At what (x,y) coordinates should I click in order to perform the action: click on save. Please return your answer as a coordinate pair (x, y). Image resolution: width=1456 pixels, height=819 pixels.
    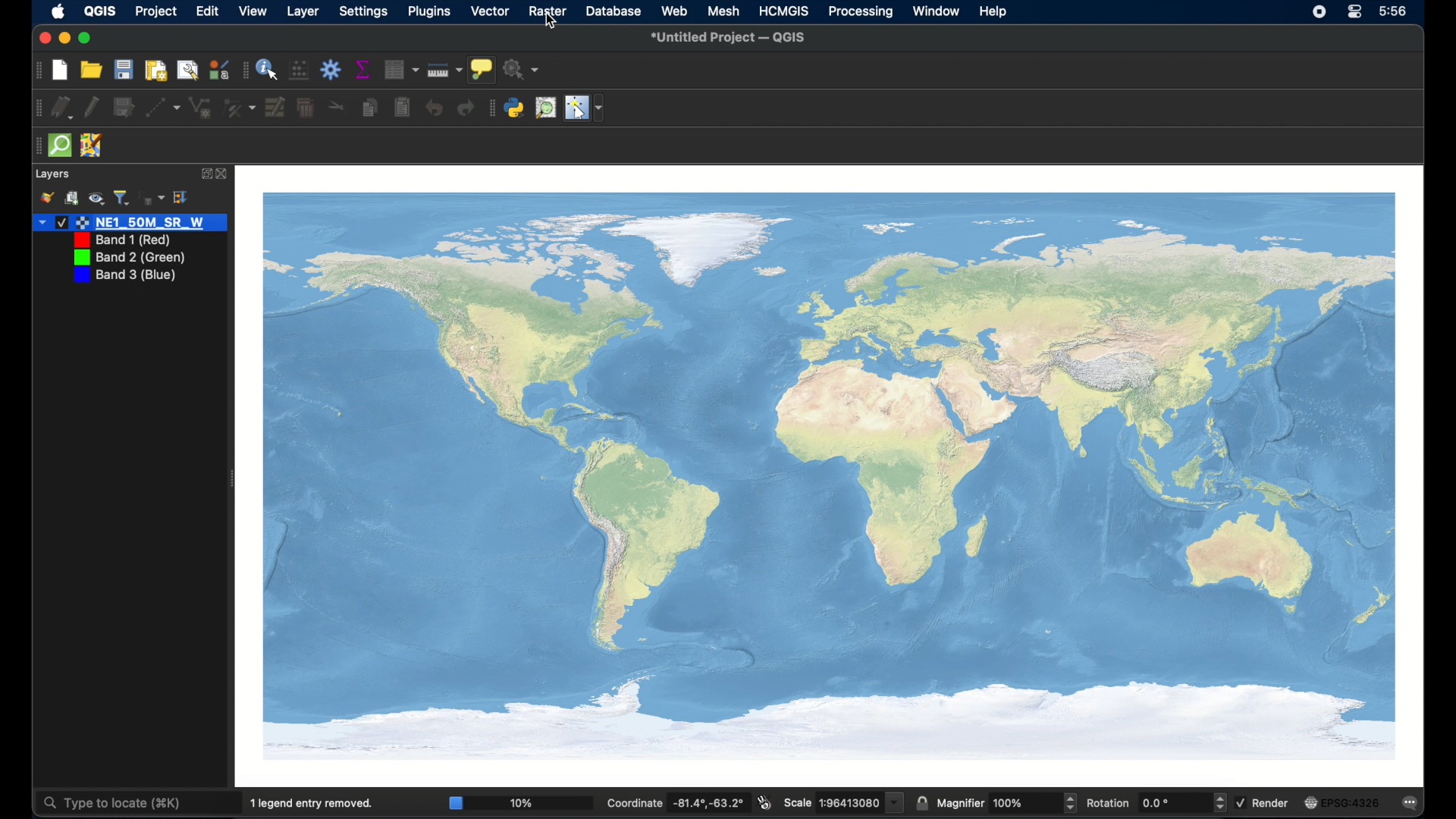
    Looking at the image, I should click on (123, 70).